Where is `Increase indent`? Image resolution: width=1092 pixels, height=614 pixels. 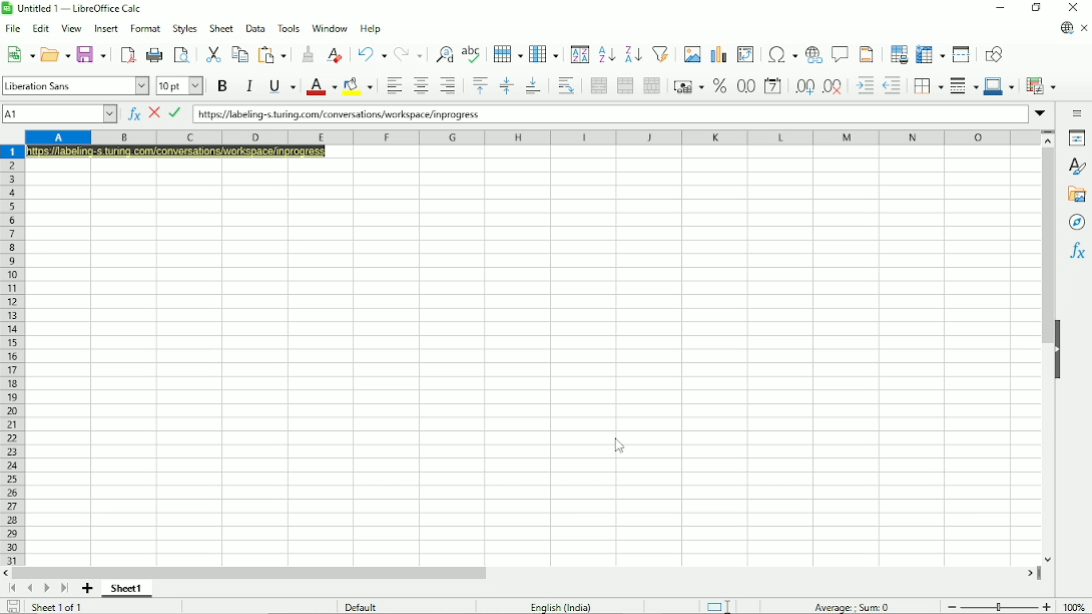
Increase indent is located at coordinates (863, 86).